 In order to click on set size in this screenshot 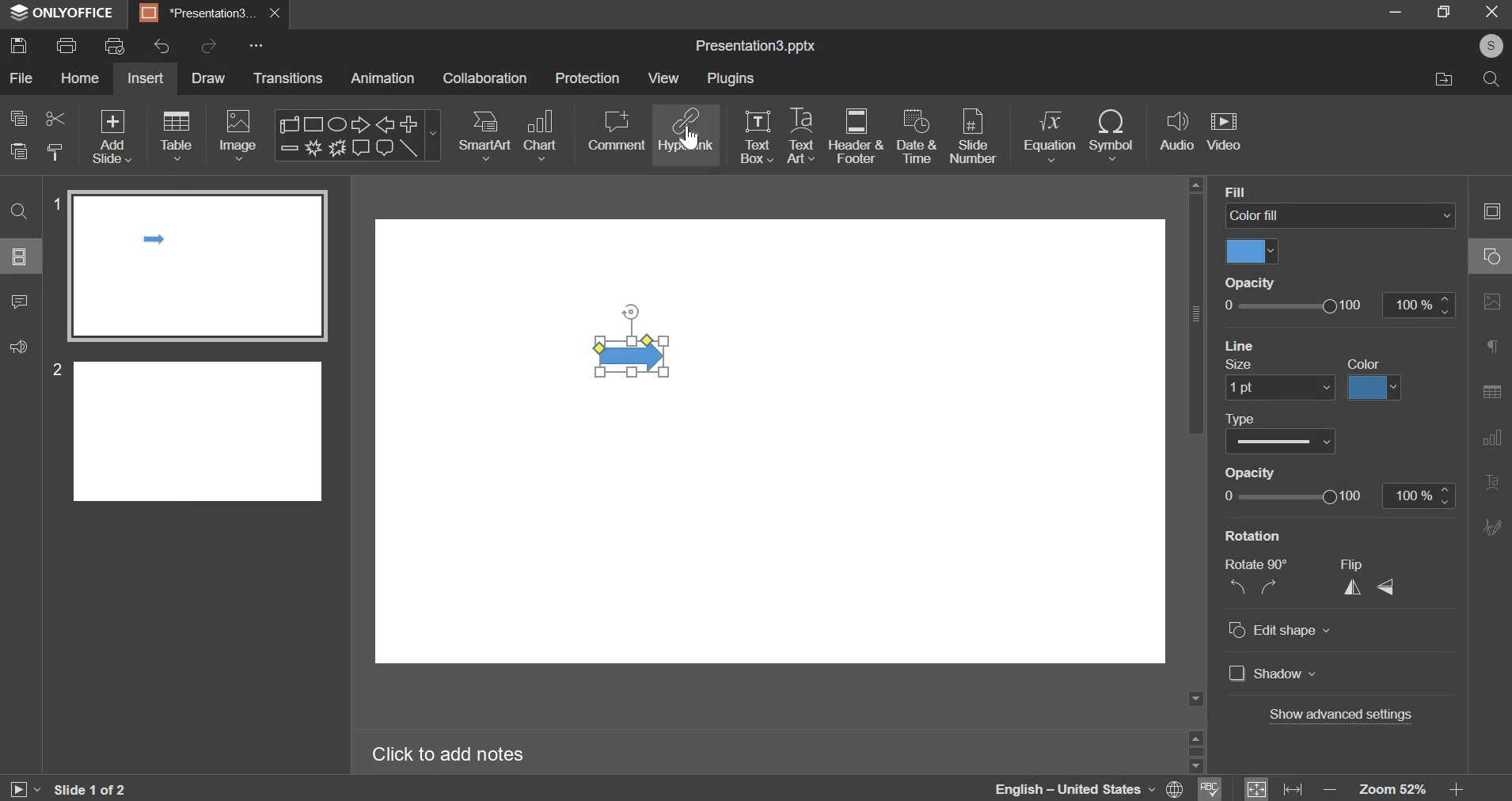, I will do `click(1279, 389)`.